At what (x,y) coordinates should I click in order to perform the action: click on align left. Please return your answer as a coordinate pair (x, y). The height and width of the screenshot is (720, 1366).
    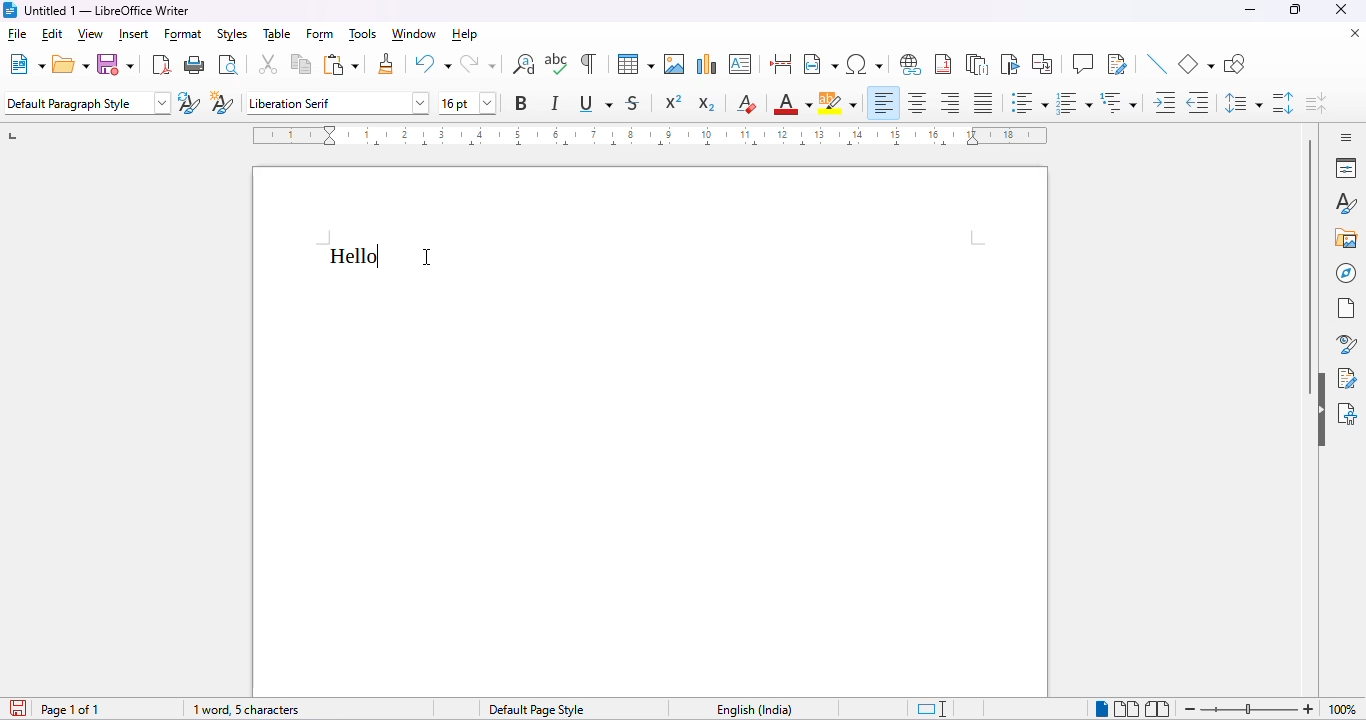
    Looking at the image, I should click on (884, 103).